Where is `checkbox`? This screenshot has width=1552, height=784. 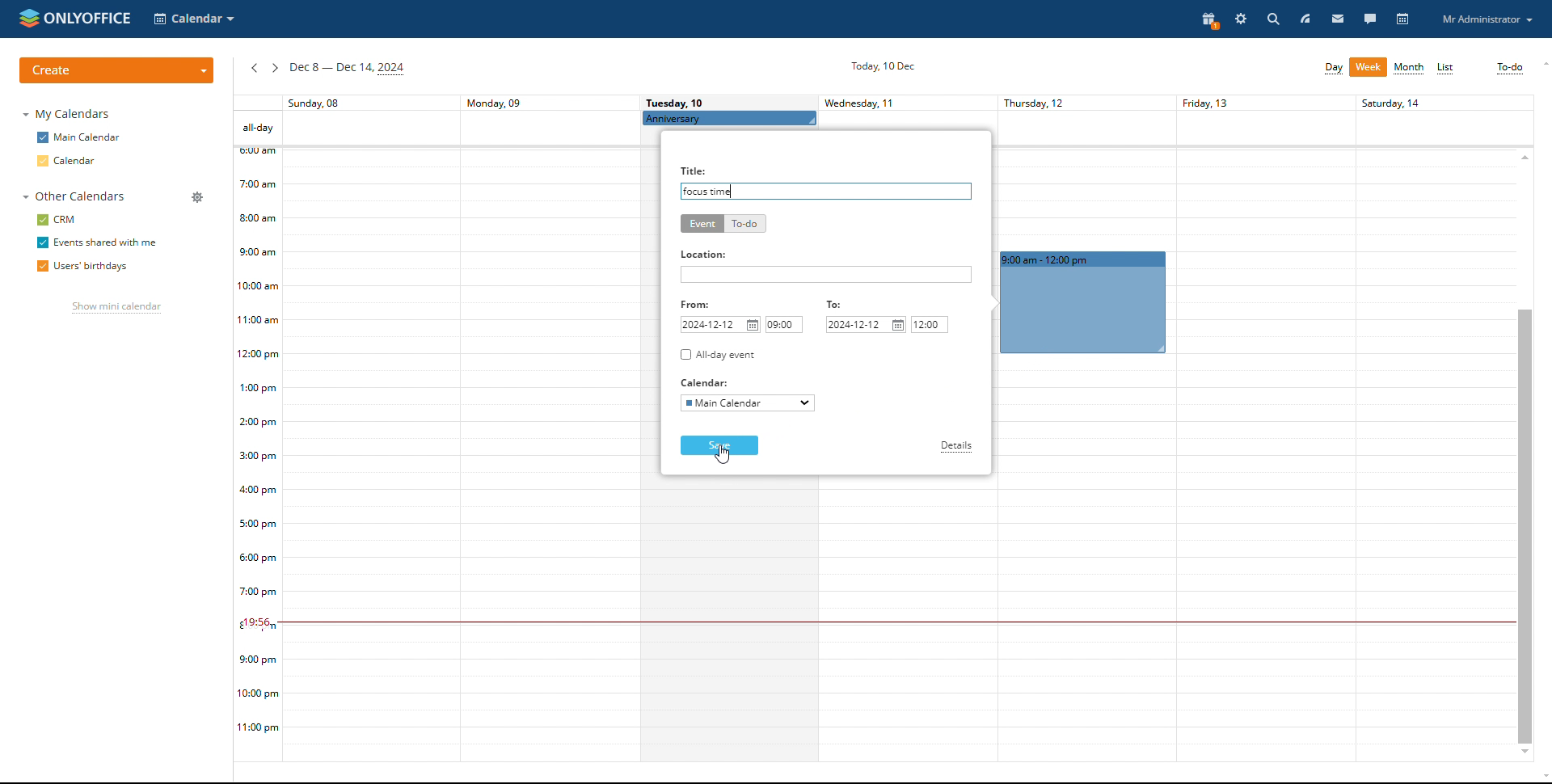
checkbox is located at coordinates (40, 266).